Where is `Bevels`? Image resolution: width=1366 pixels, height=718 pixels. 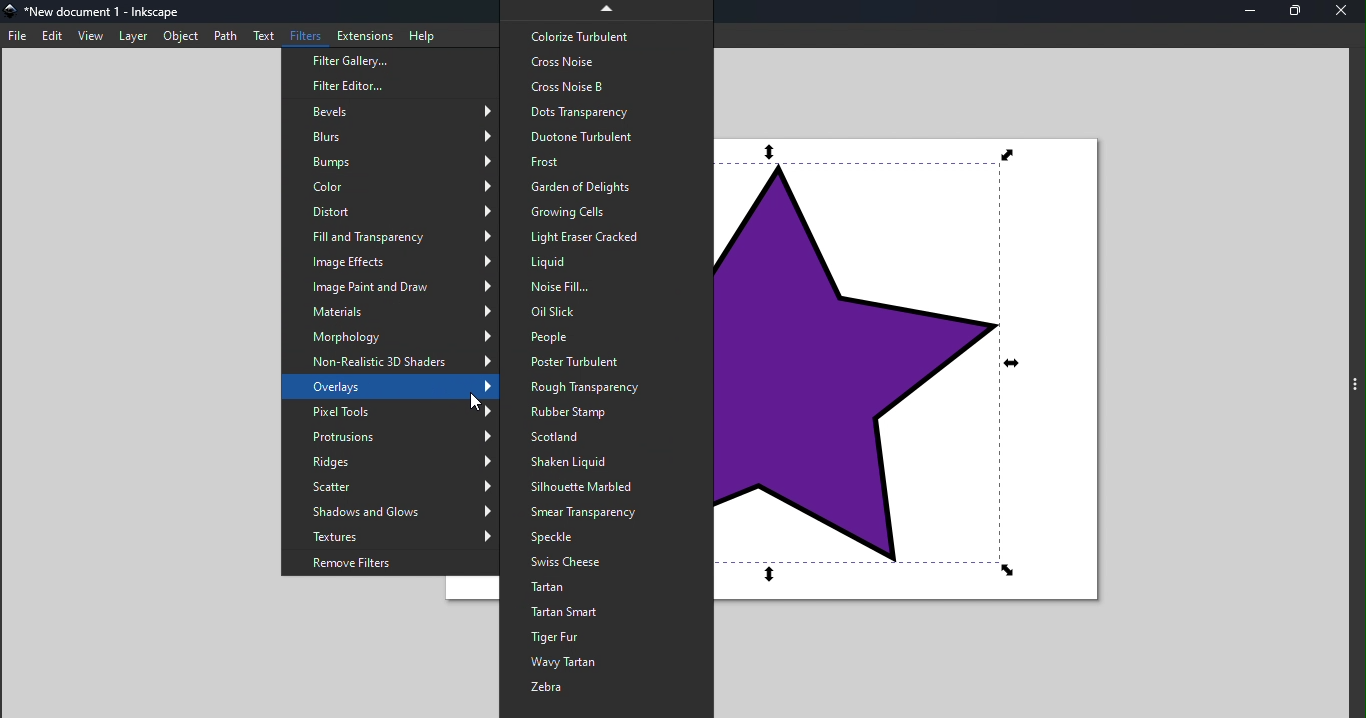
Bevels is located at coordinates (394, 111).